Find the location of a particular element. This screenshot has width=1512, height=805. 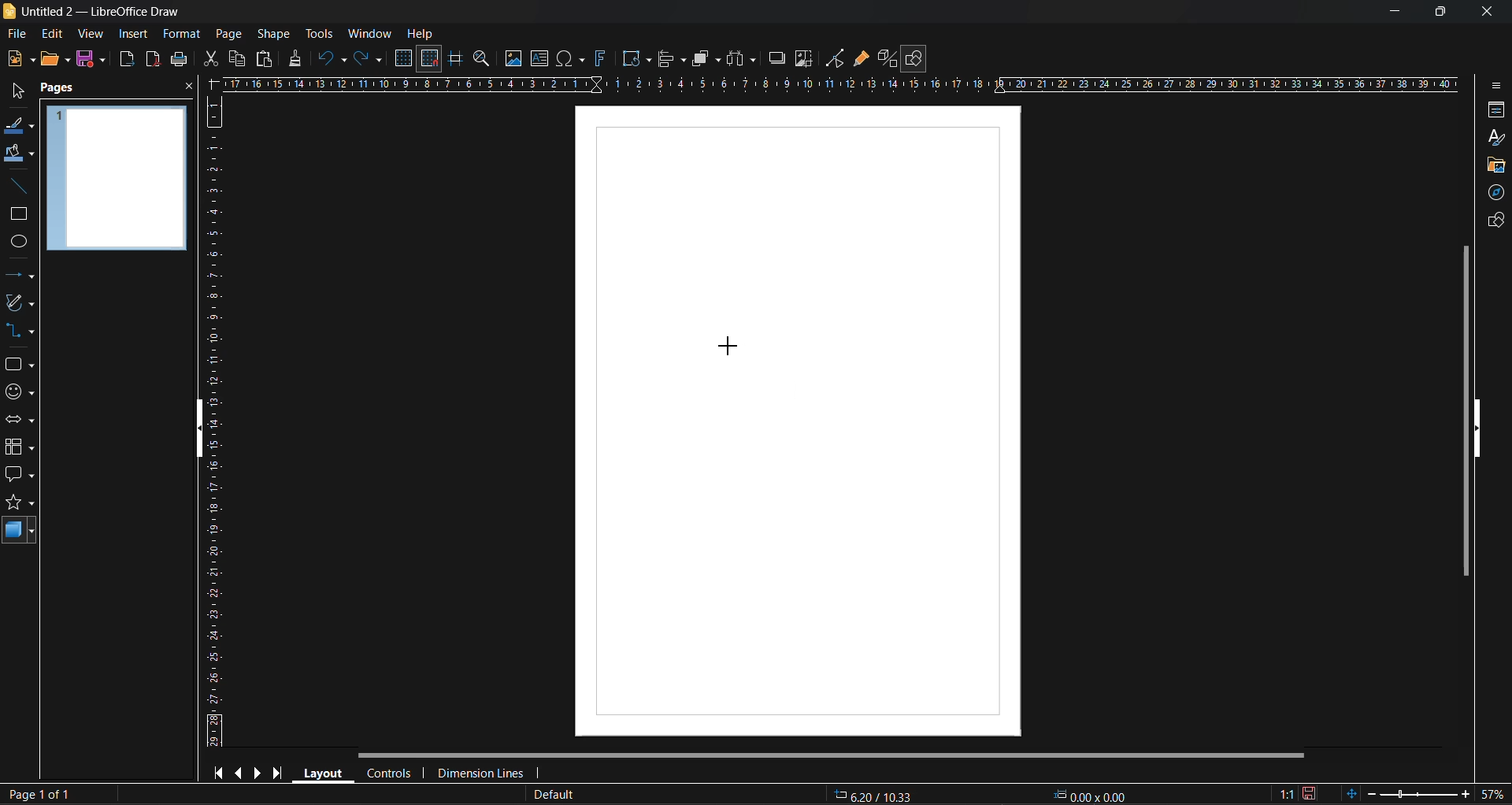

zoom out is located at coordinates (1371, 792).